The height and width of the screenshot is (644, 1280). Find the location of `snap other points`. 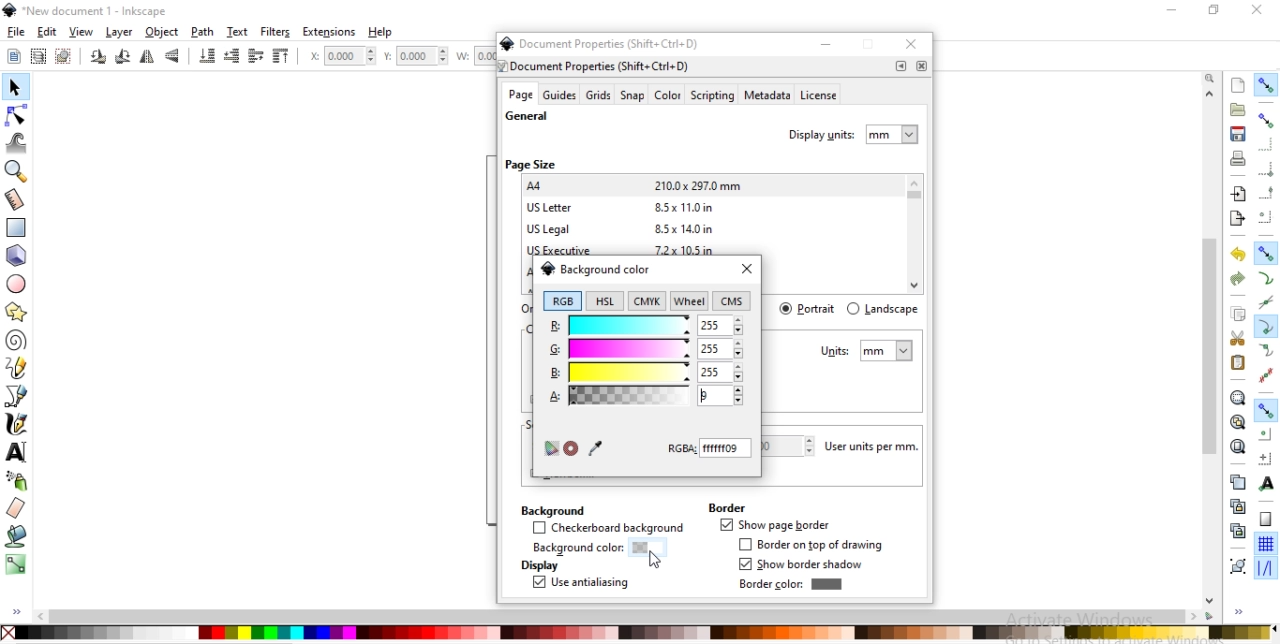

snap other points is located at coordinates (1266, 410).